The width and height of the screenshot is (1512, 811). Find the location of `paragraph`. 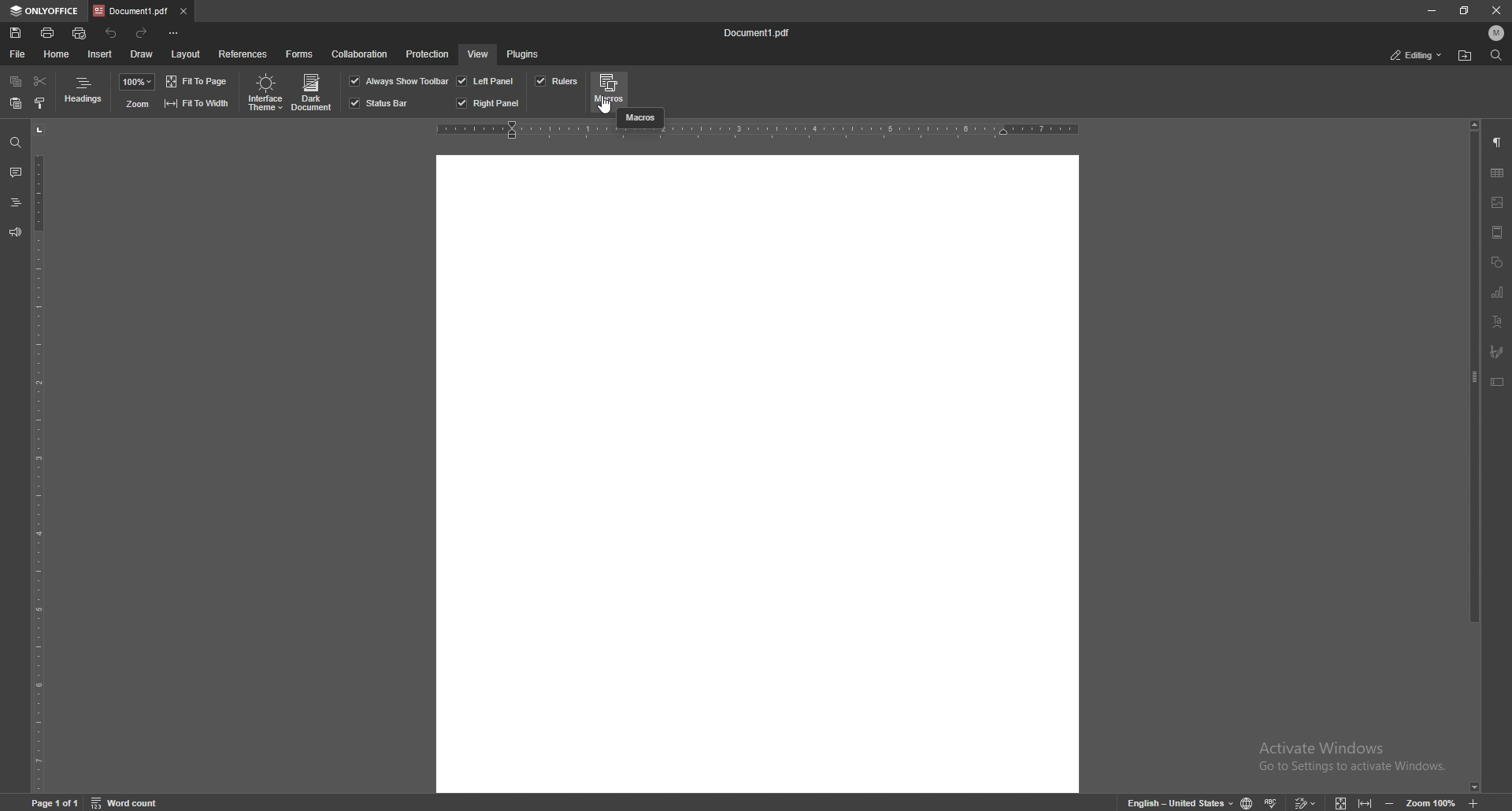

paragraph is located at coordinates (1498, 143).